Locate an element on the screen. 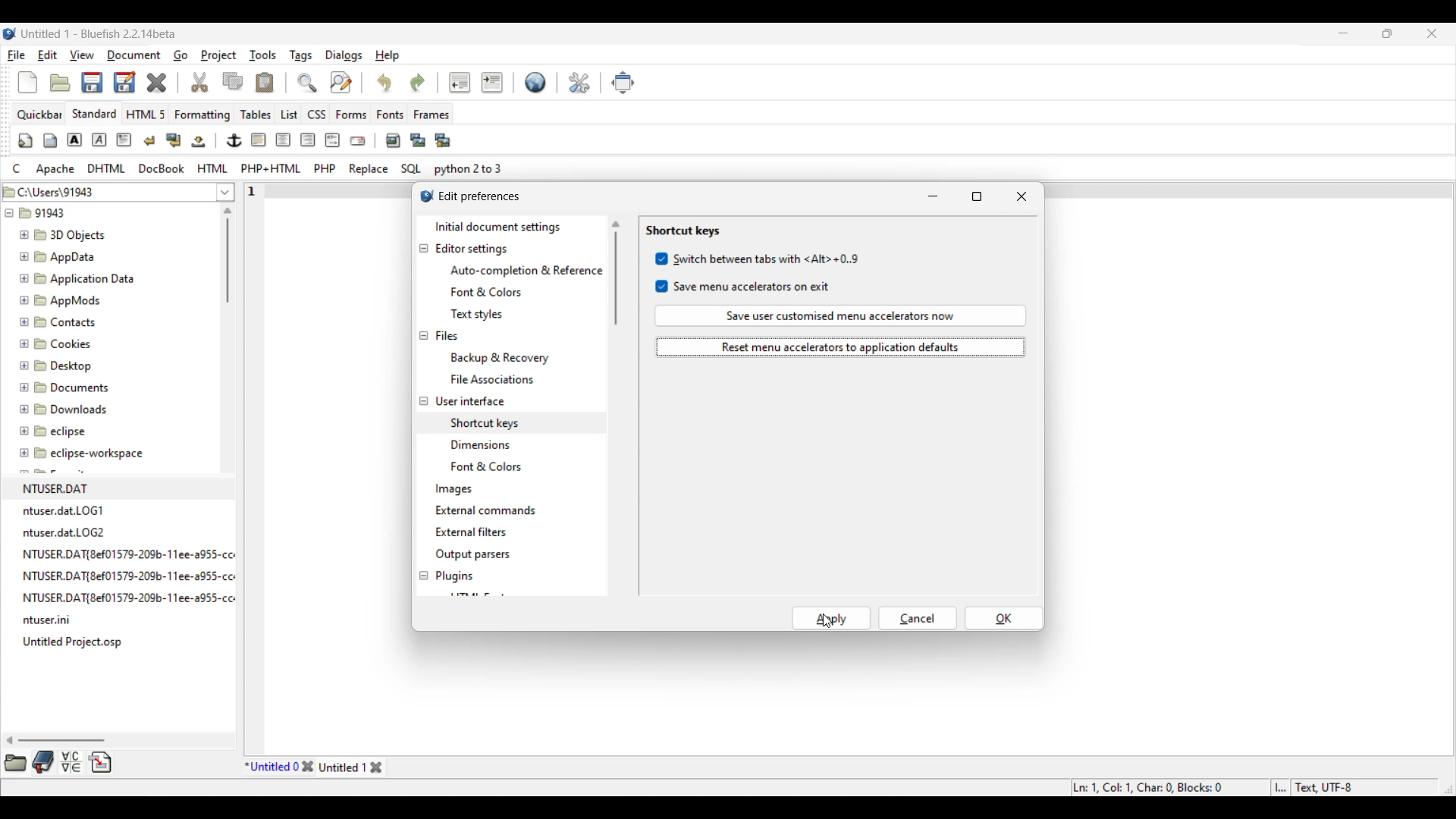  Text styles is located at coordinates (476, 314).